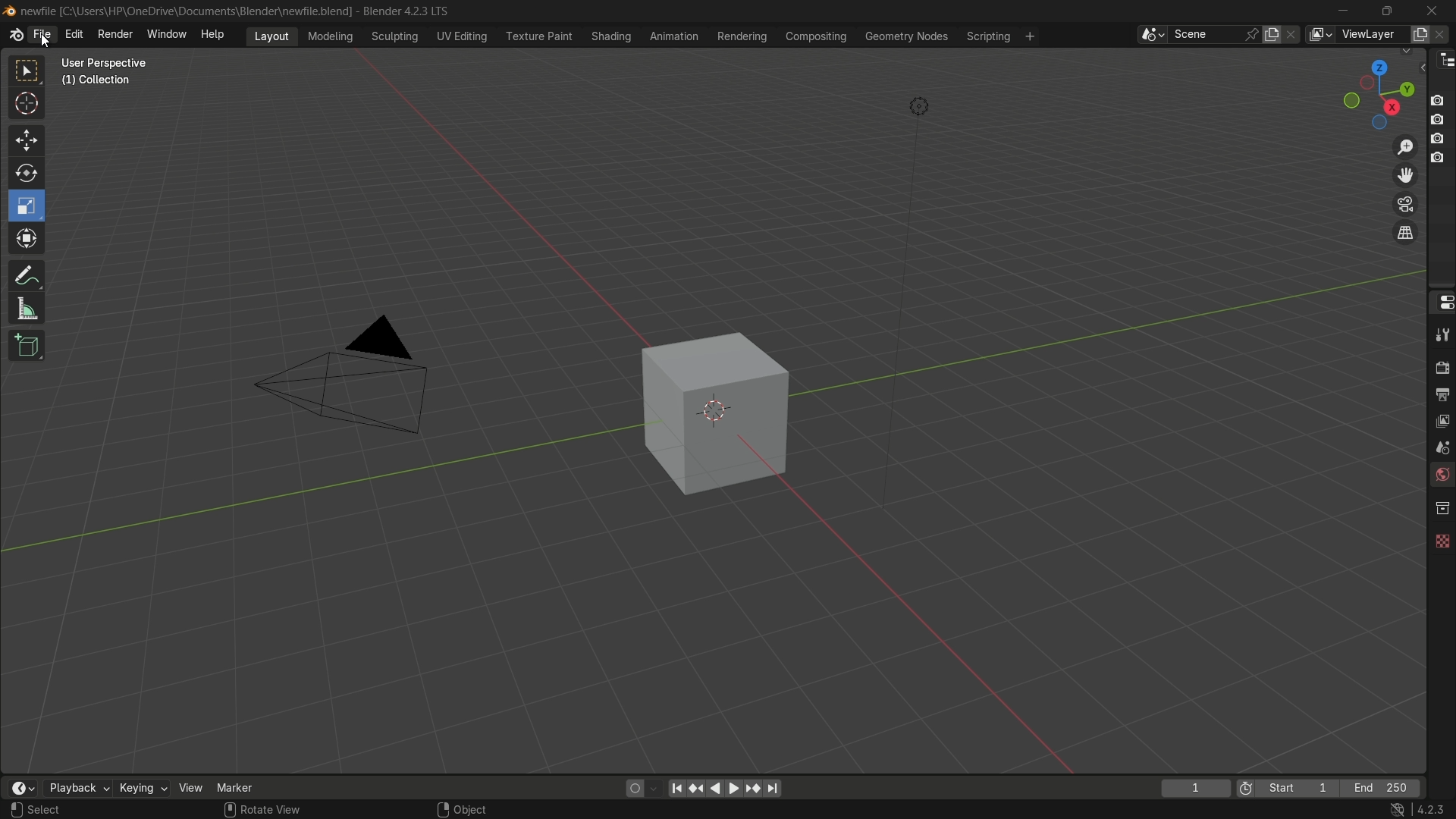 The width and height of the screenshot is (1456, 819). Describe the element at coordinates (1371, 35) in the screenshot. I see `view layer name` at that location.